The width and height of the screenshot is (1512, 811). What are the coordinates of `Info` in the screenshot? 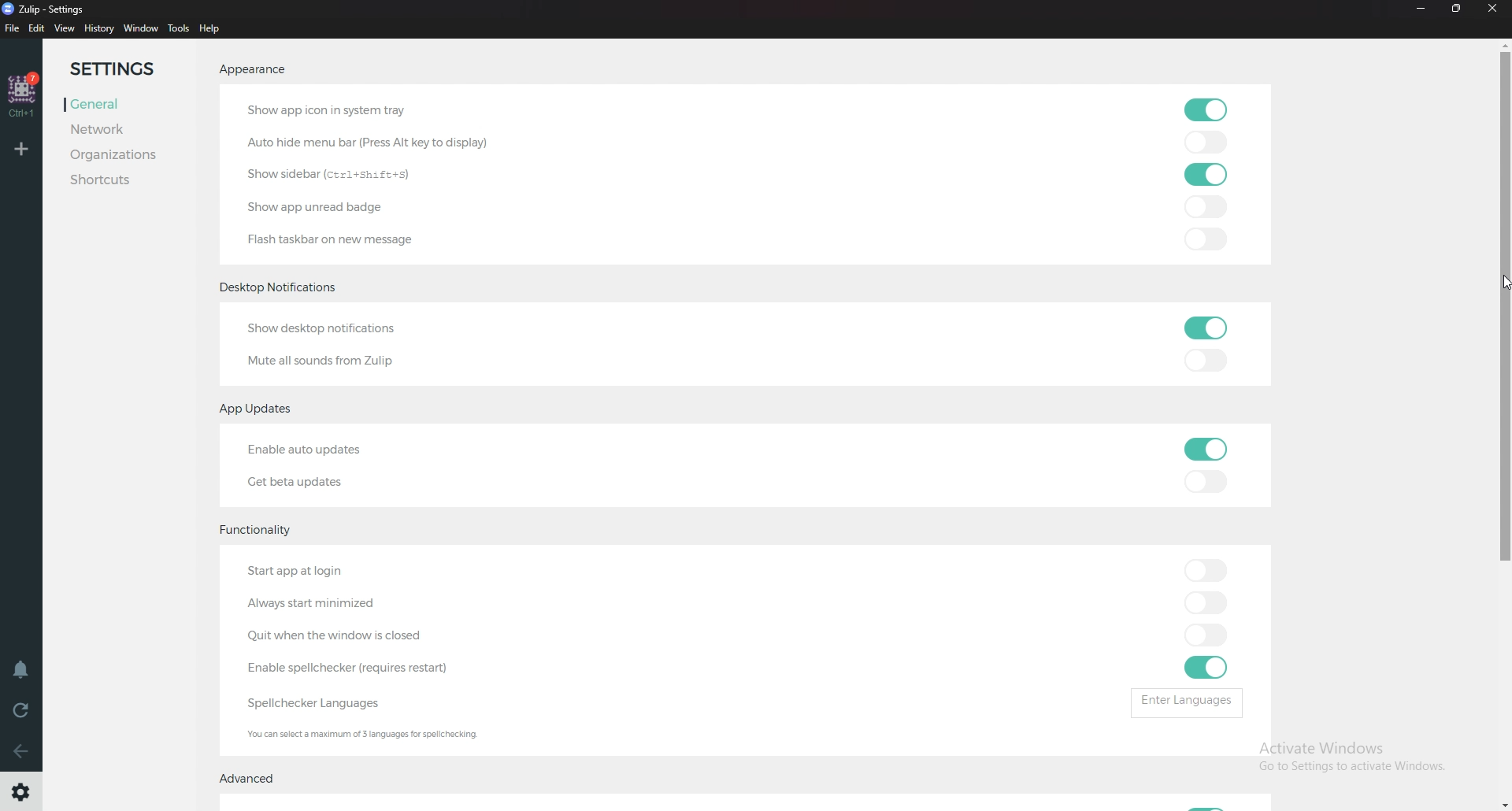 It's located at (417, 735).